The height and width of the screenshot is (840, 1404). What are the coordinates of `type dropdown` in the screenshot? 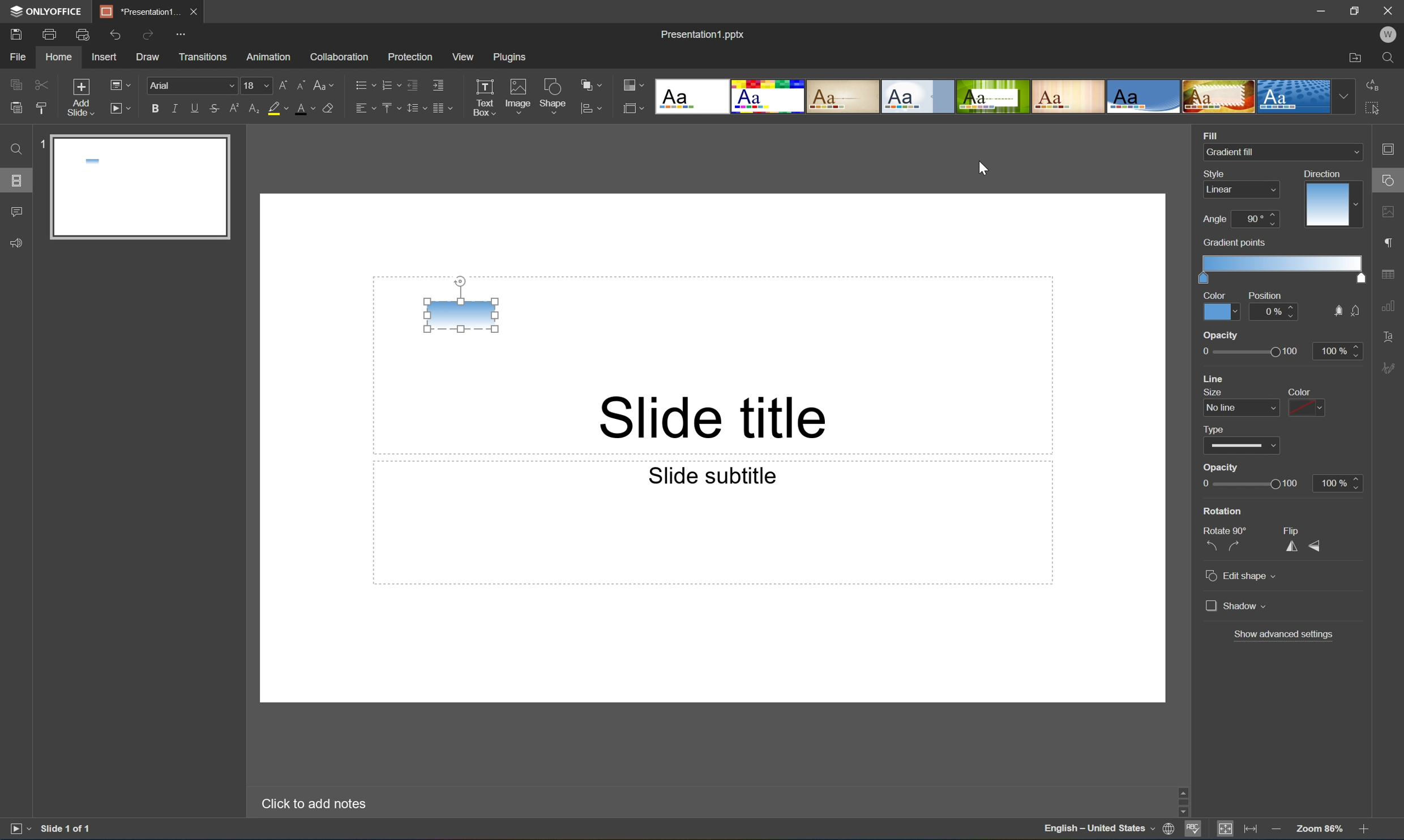 It's located at (1243, 446).